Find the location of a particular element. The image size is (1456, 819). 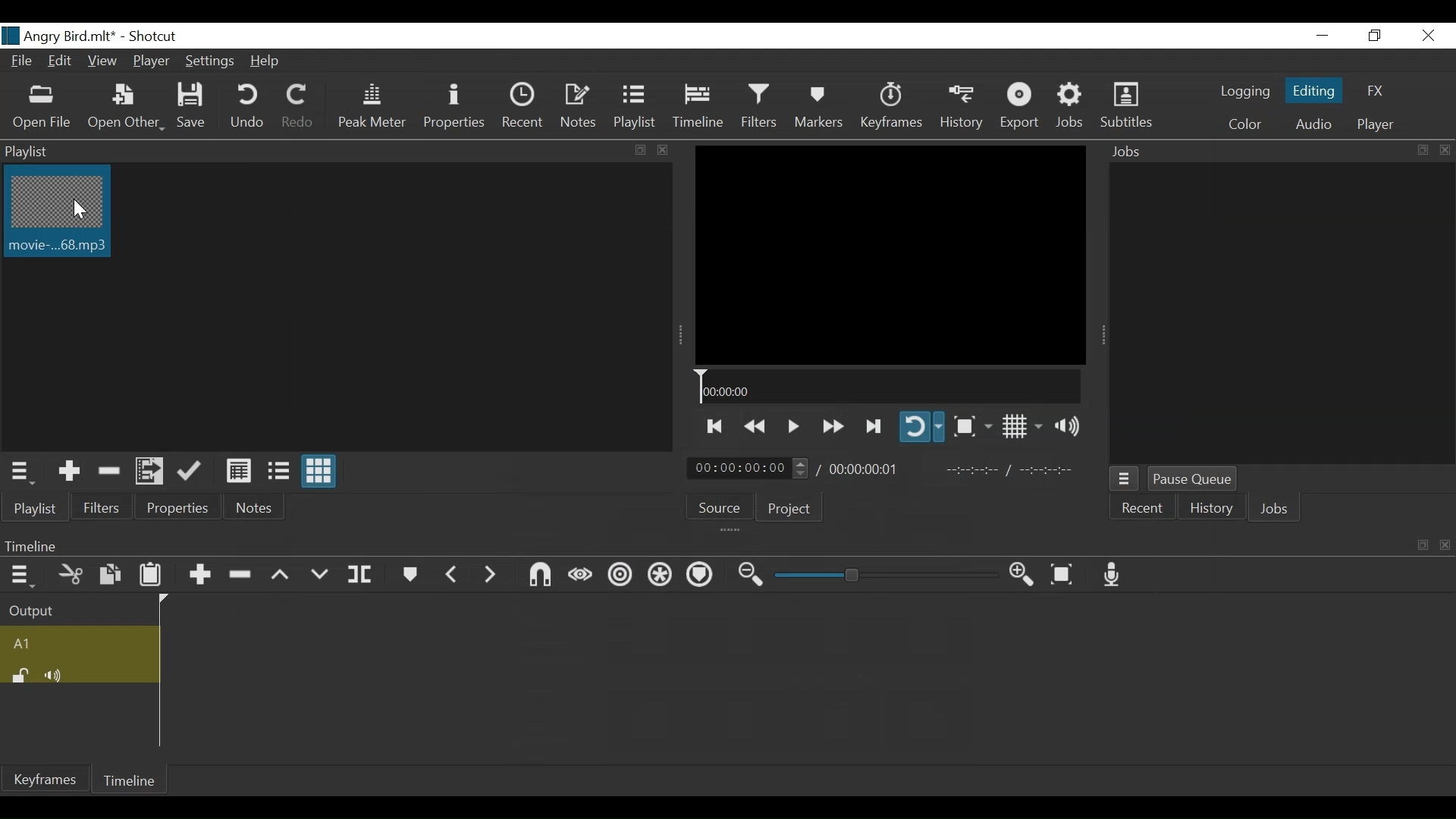

View is located at coordinates (102, 63).